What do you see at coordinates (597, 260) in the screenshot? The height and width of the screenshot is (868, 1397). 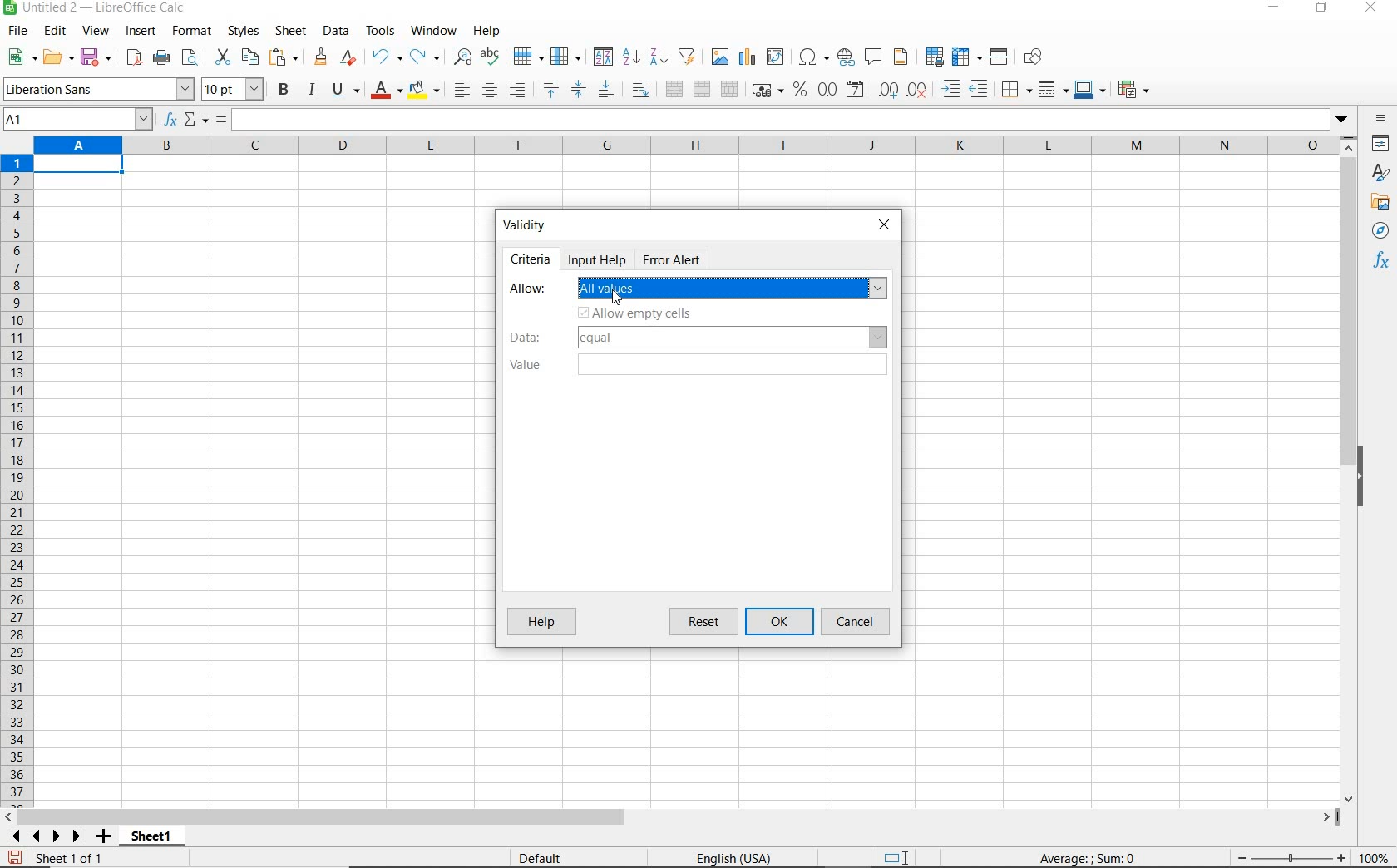 I see `input help` at bounding box center [597, 260].